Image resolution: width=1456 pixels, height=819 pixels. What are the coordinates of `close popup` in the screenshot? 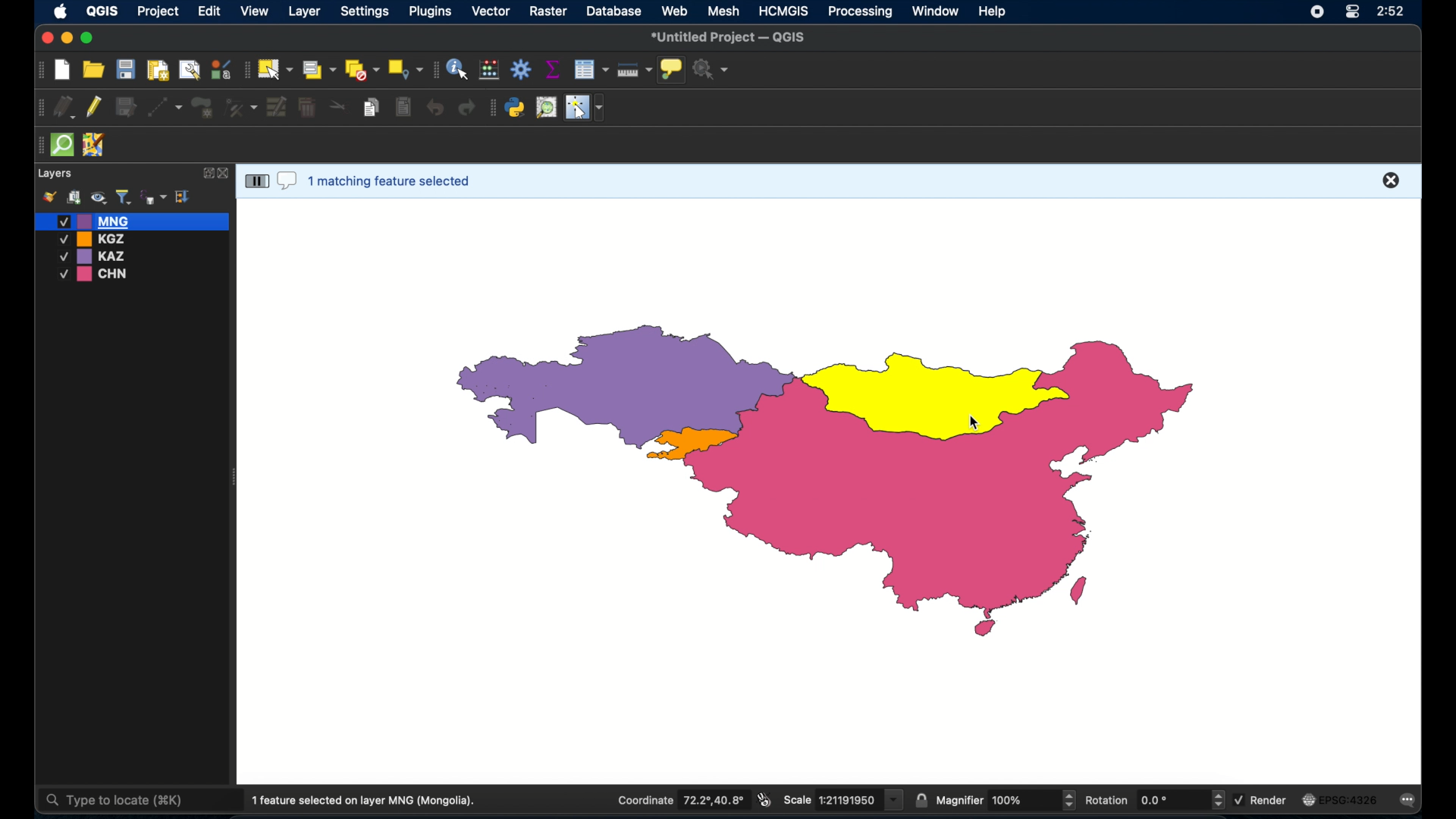 It's located at (1392, 179).